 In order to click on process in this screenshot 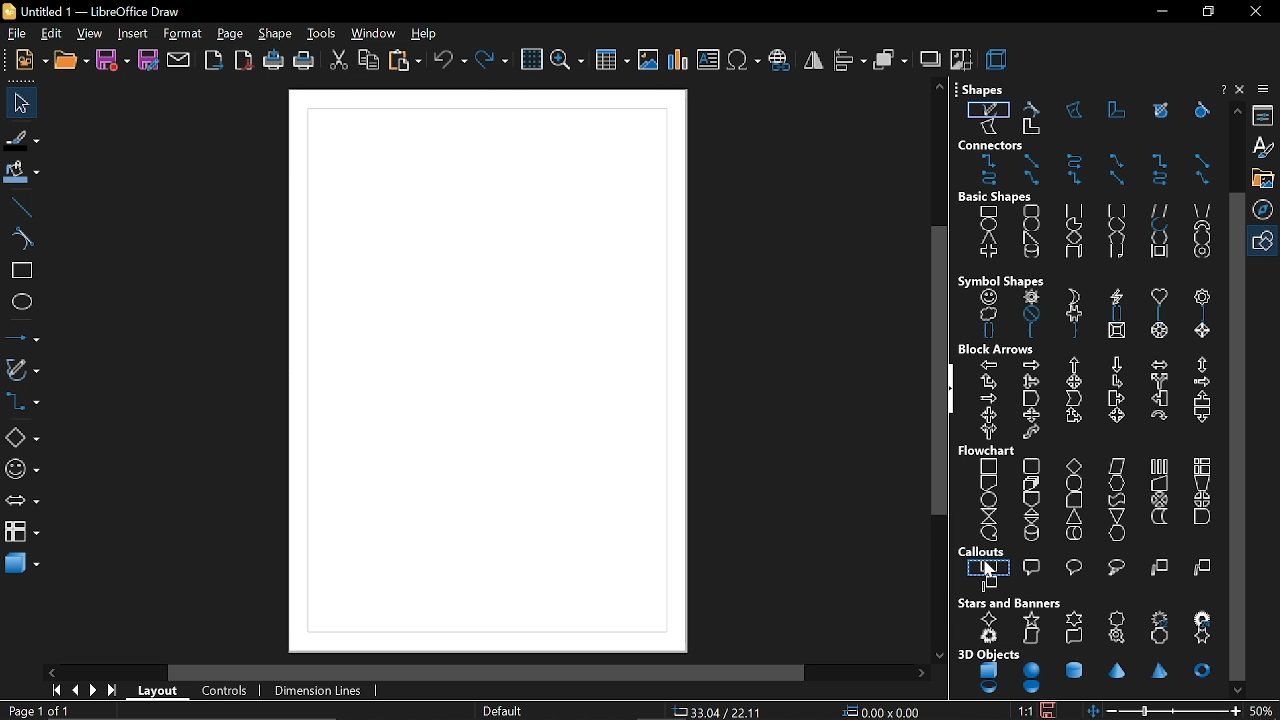, I will do `click(990, 465)`.